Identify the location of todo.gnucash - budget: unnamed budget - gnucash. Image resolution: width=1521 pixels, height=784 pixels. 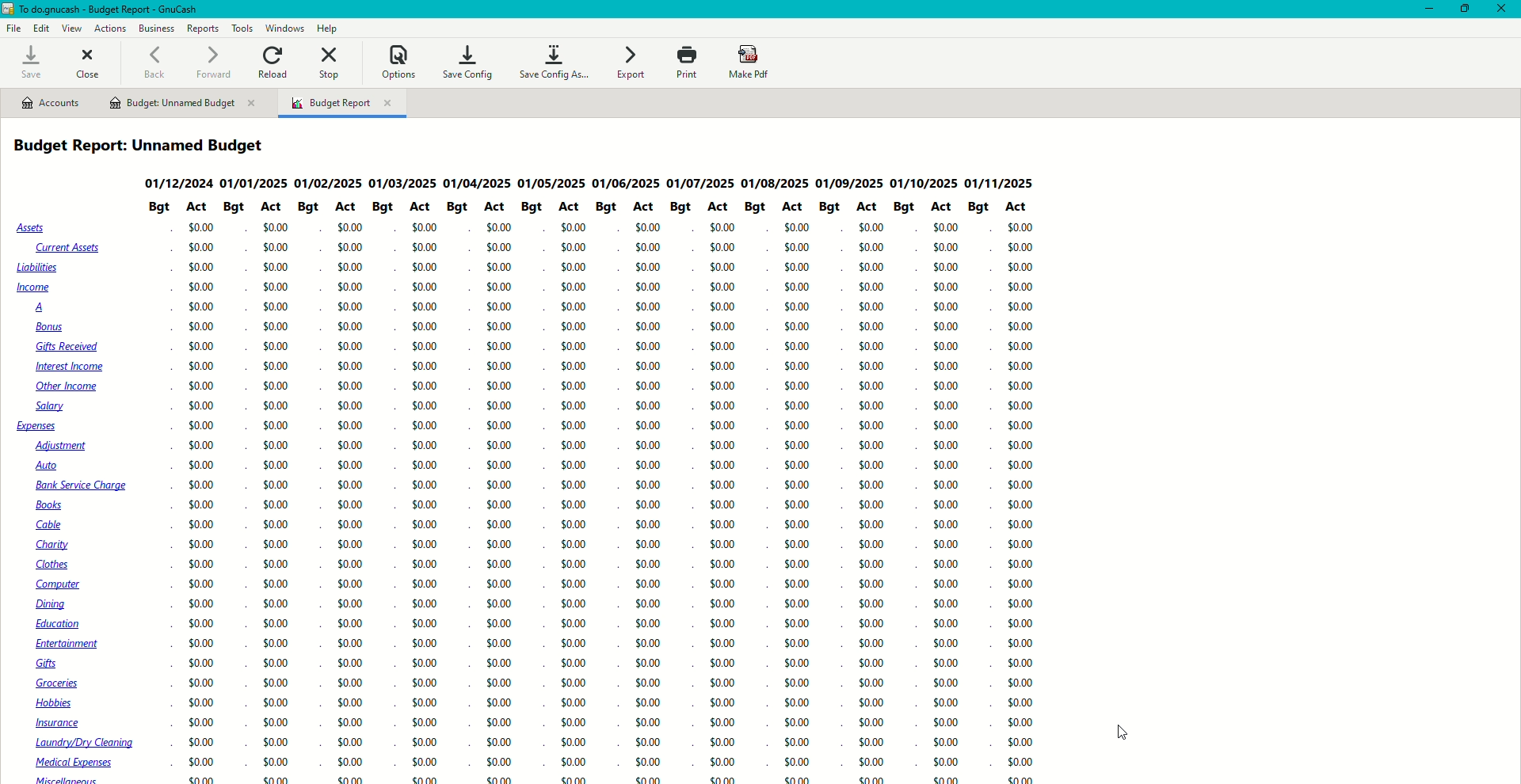
(131, 10).